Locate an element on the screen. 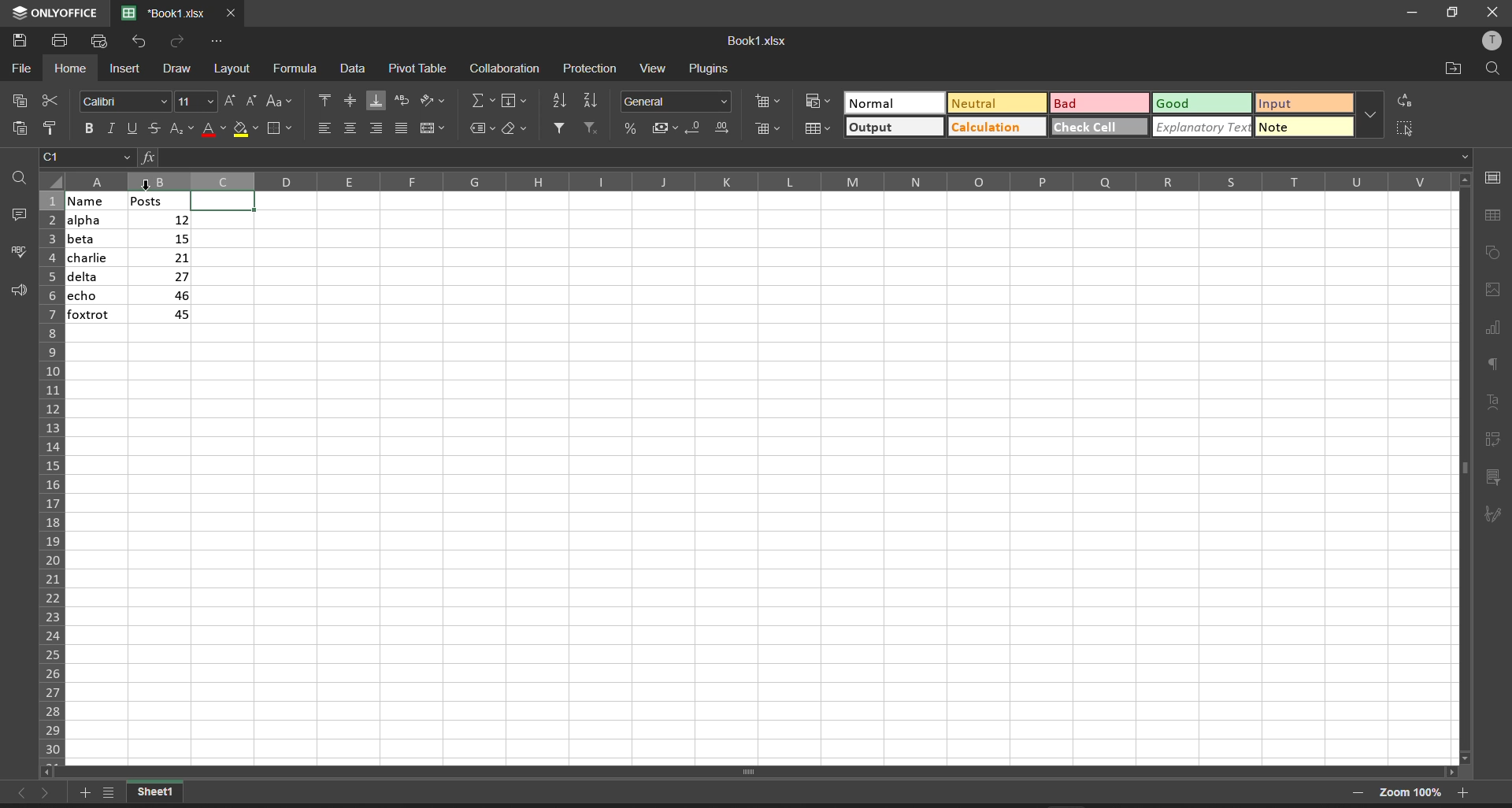  Normal is located at coordinates (873, 104).